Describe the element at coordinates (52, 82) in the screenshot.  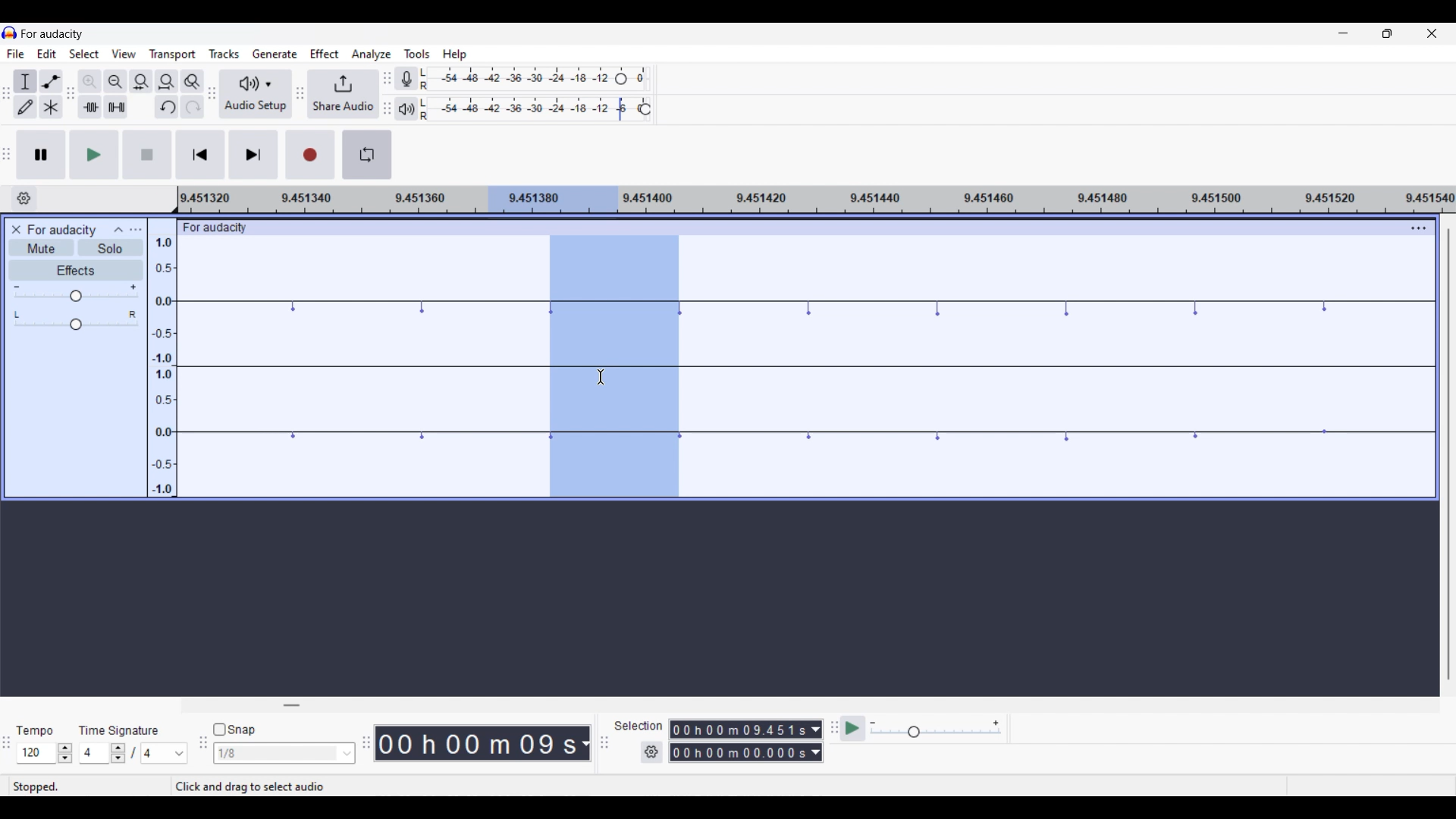
I see `Envelop tool` at that location.